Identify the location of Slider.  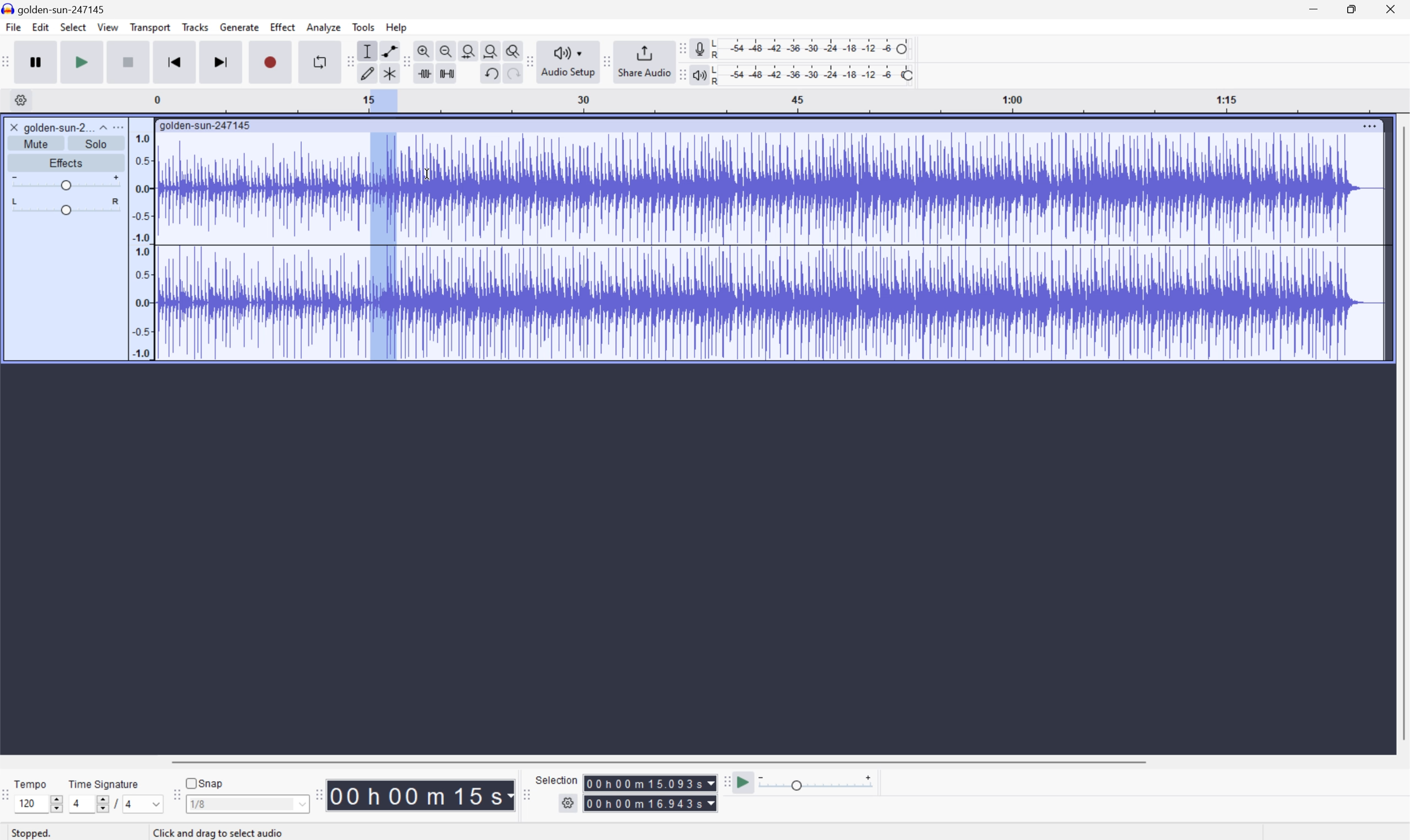
(65, 208).